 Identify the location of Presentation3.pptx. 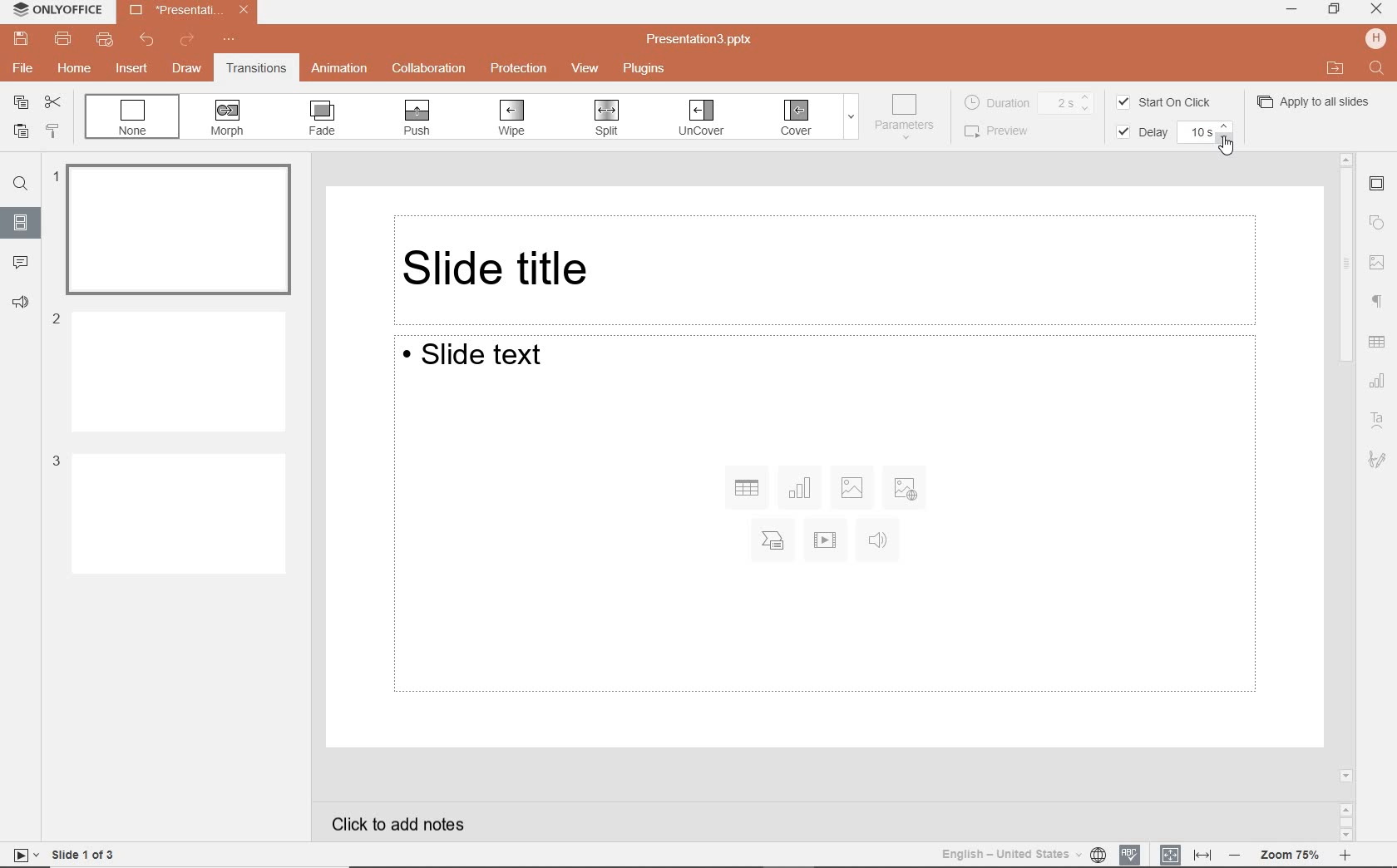
(186, 9).